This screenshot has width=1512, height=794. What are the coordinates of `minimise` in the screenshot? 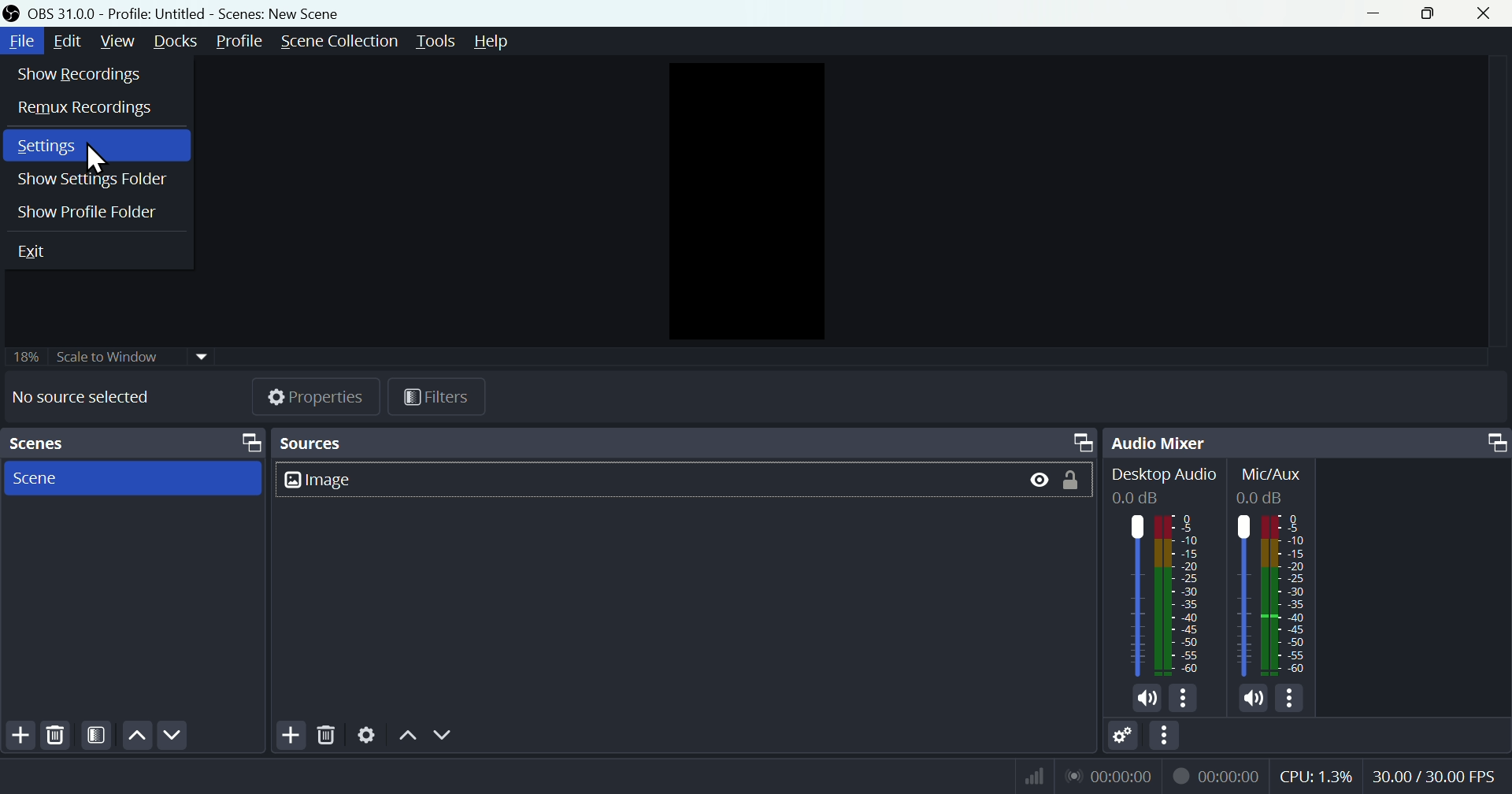 It's located at (1380, 13).